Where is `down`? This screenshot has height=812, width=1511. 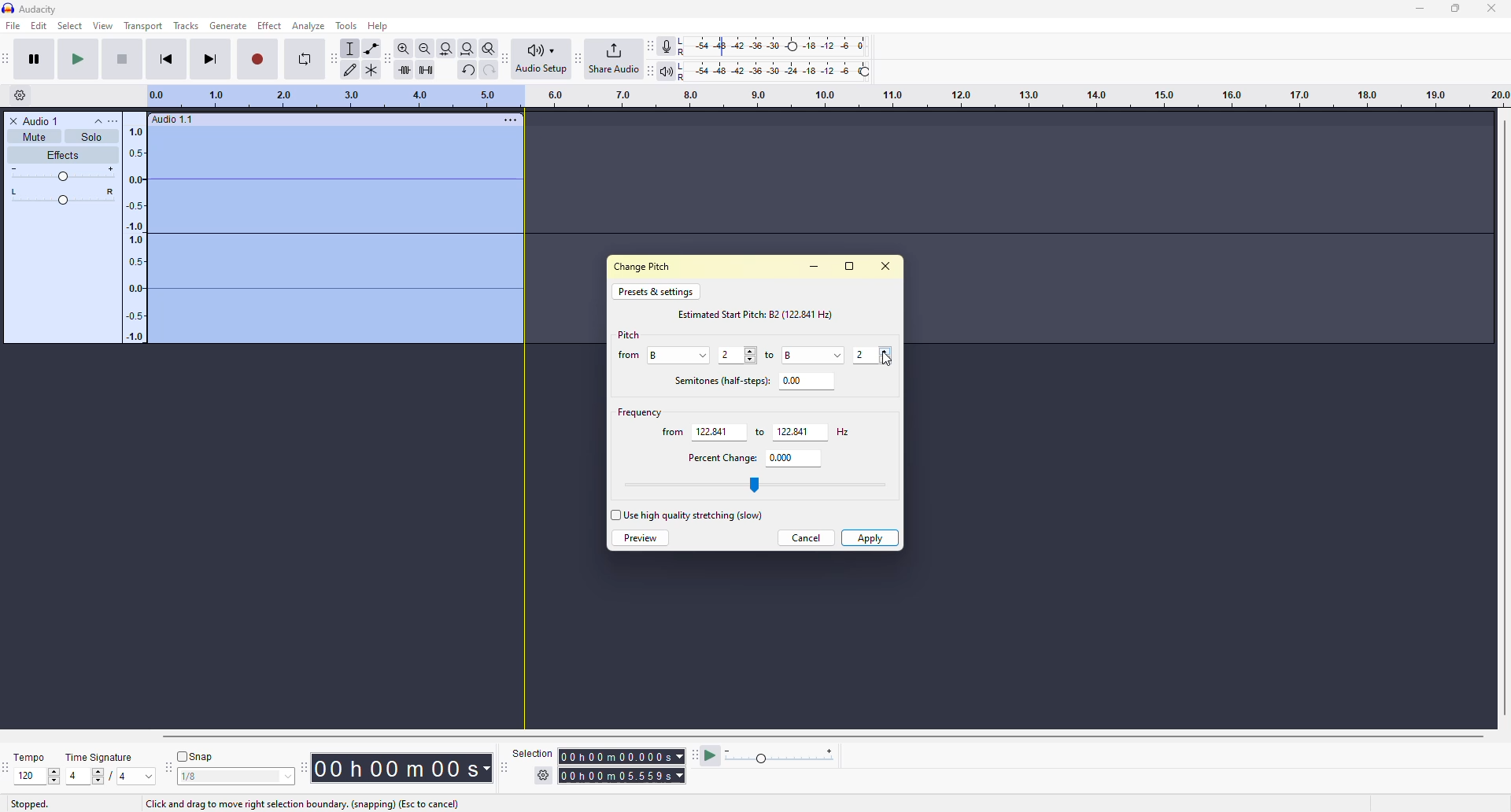 down is located at coordinates (886, 359).